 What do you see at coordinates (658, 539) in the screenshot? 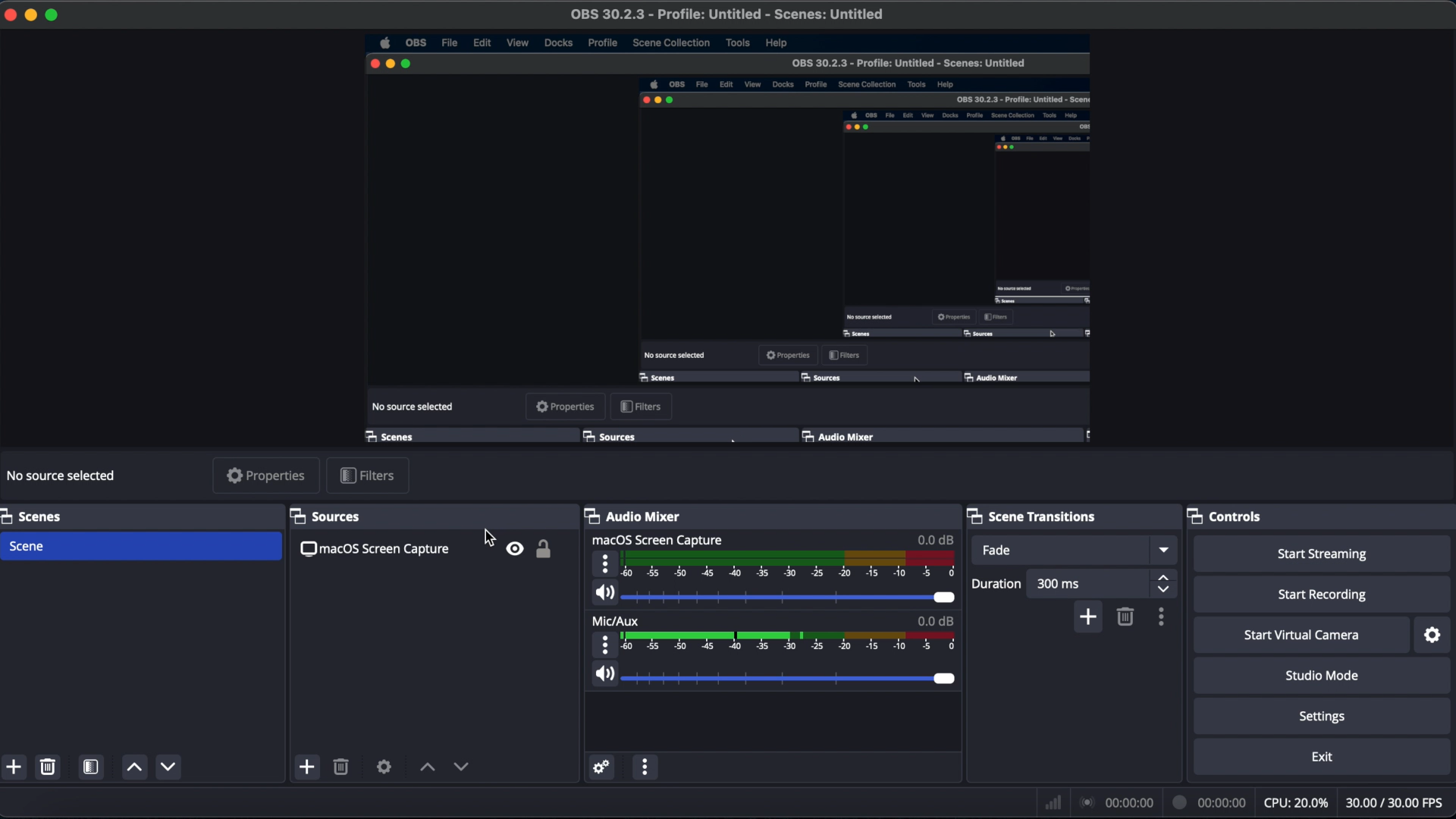
I see `macOS screen capture` at bounding box center [658, 539].